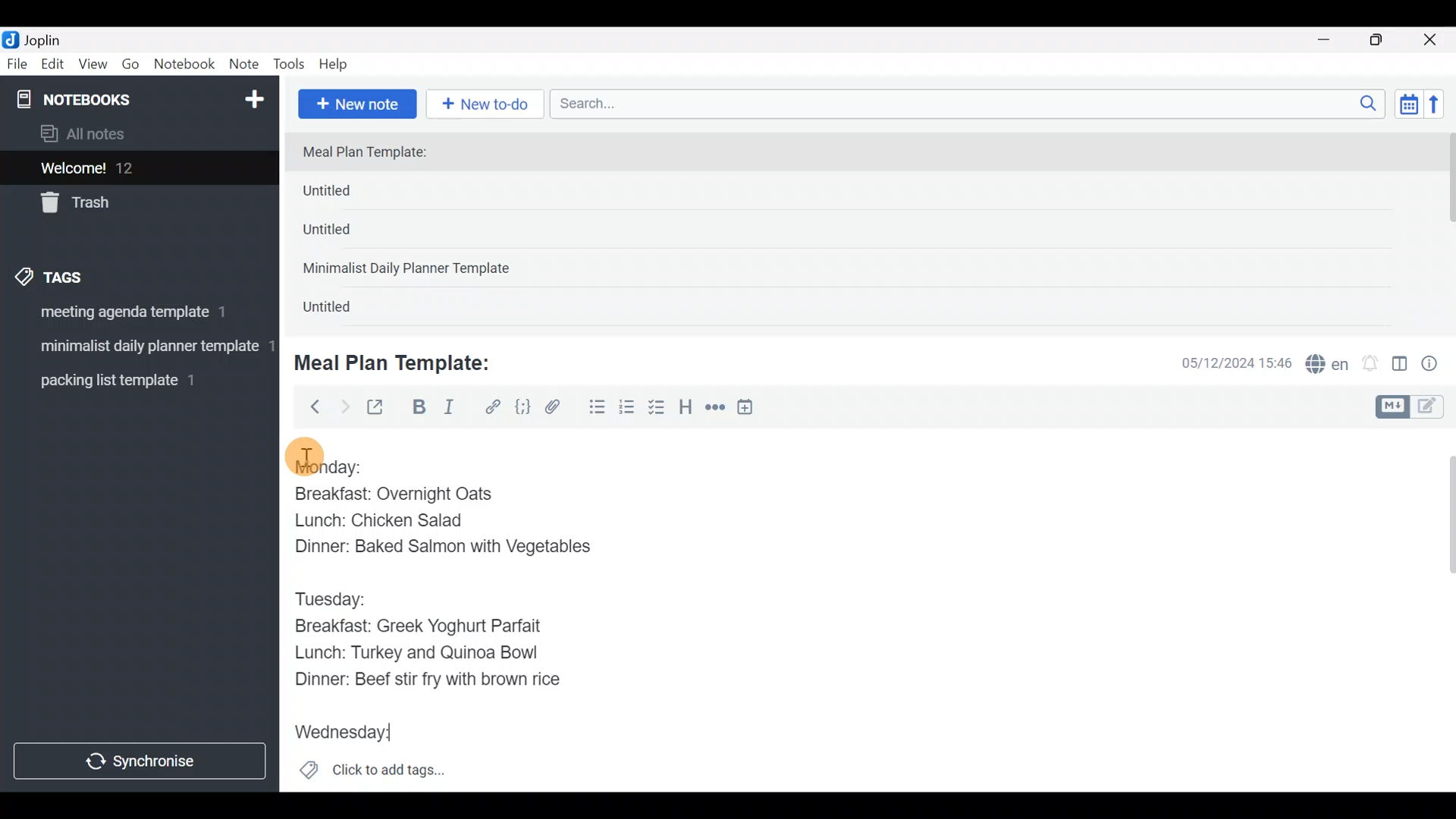 Image resolution: width=1456 pixels, height=819 pixels. Describe the element at coordinates (347, 234) in the screenshot. I see `Untitled` at that location.